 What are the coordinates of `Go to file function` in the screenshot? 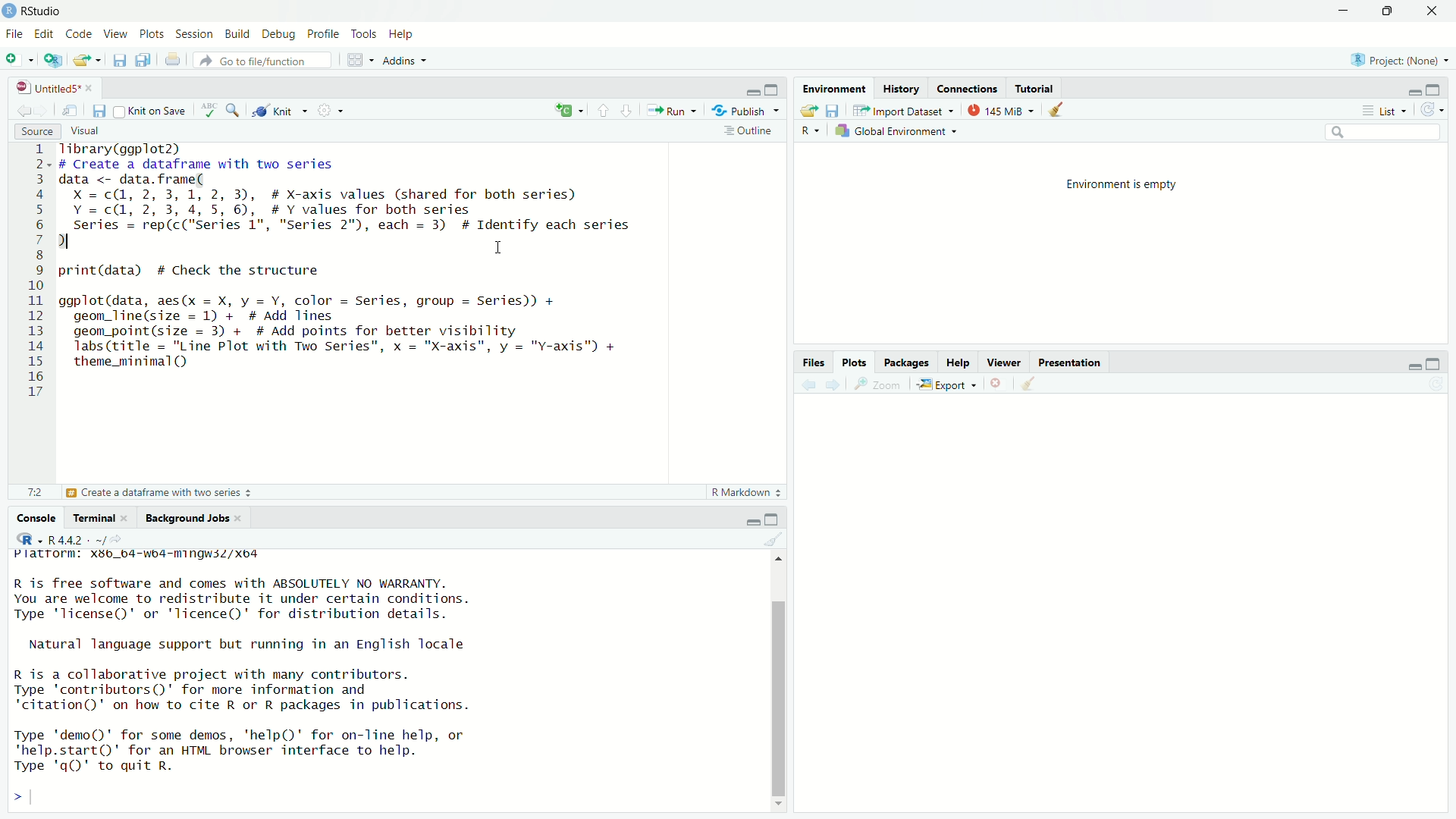 It's located at (264, 60).